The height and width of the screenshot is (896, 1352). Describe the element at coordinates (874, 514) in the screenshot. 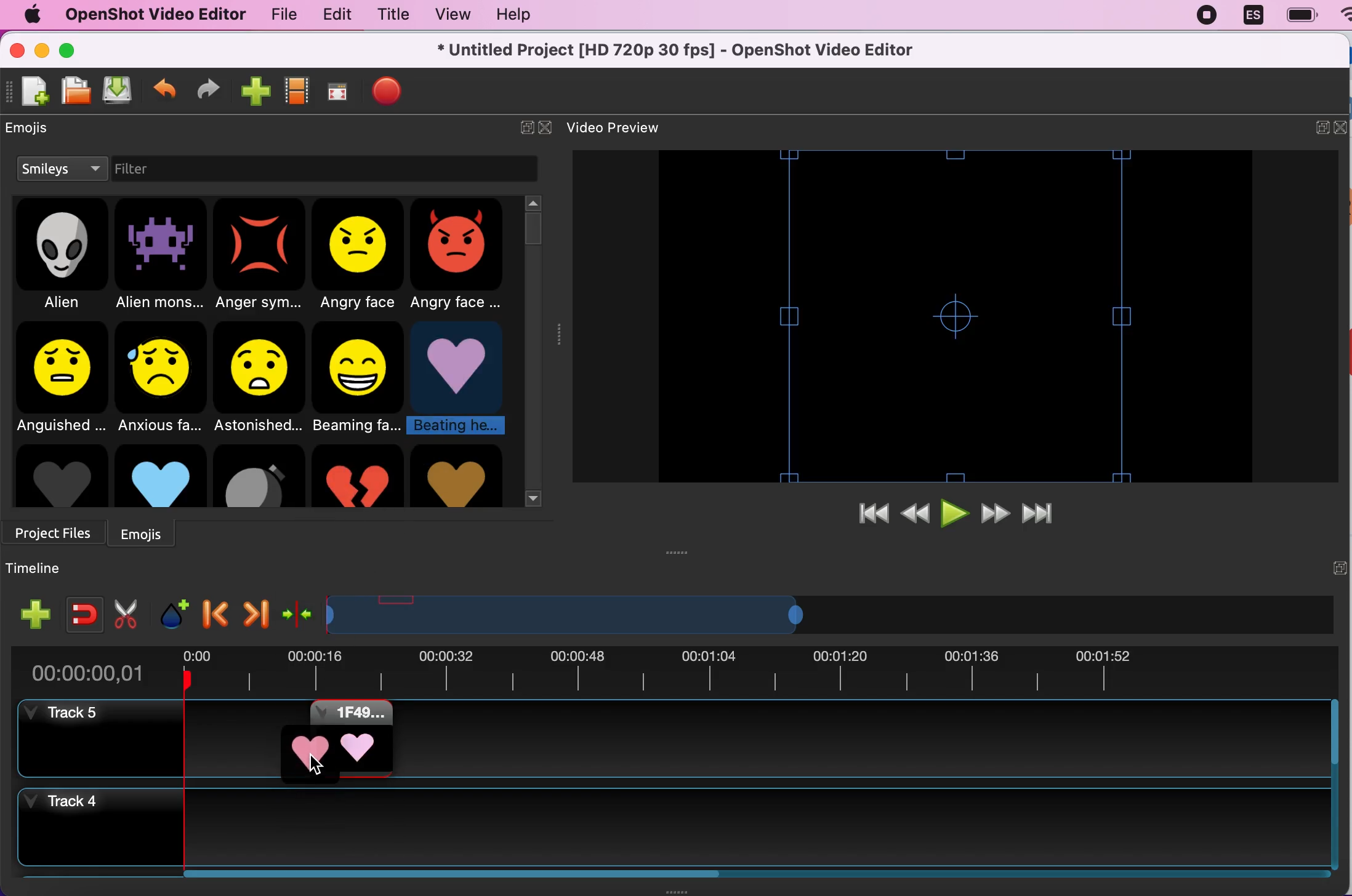

I see `jump to start` at that location.